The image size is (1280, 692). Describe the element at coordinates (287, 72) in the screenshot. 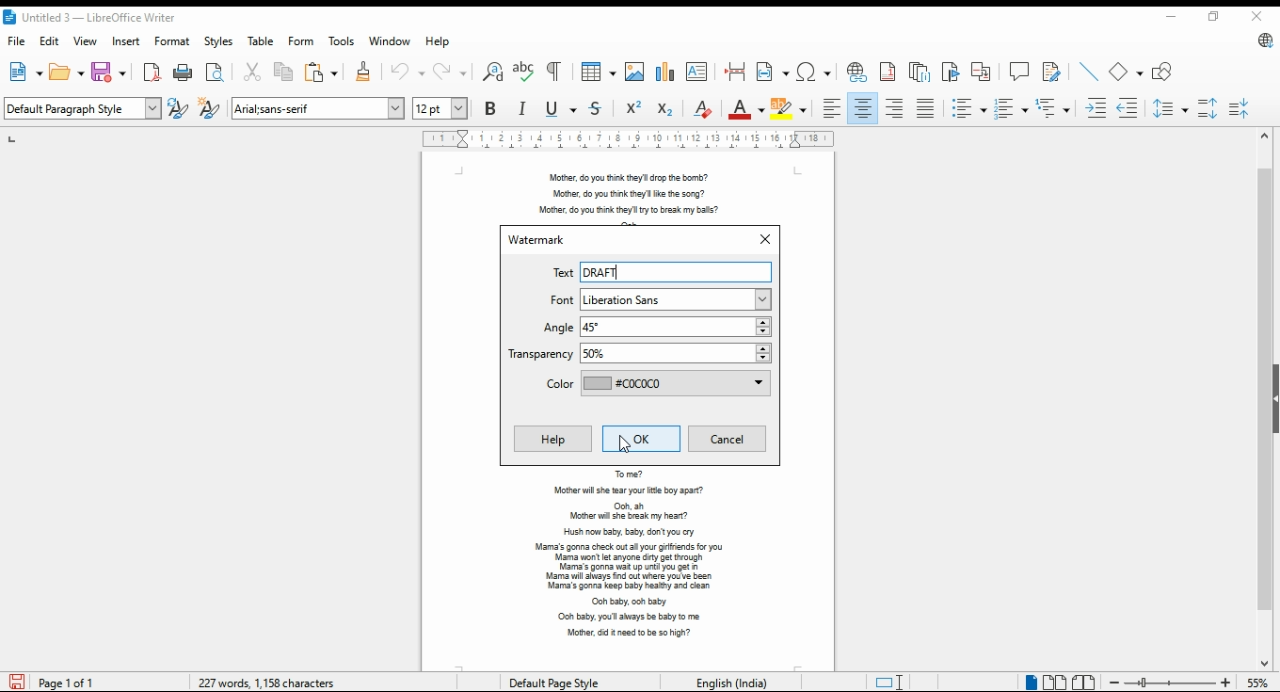

I see `copy` at that location.